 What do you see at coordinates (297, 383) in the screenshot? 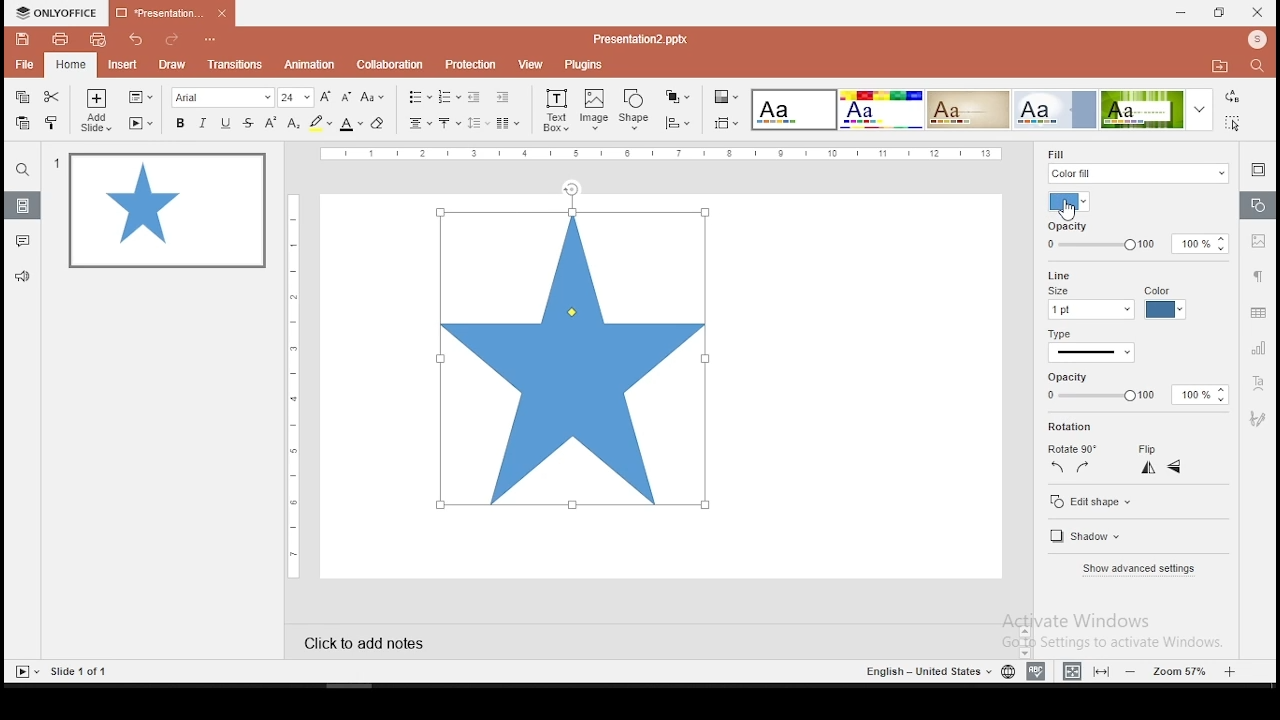
I see `vertical scale` at bounding box center [297, 383].